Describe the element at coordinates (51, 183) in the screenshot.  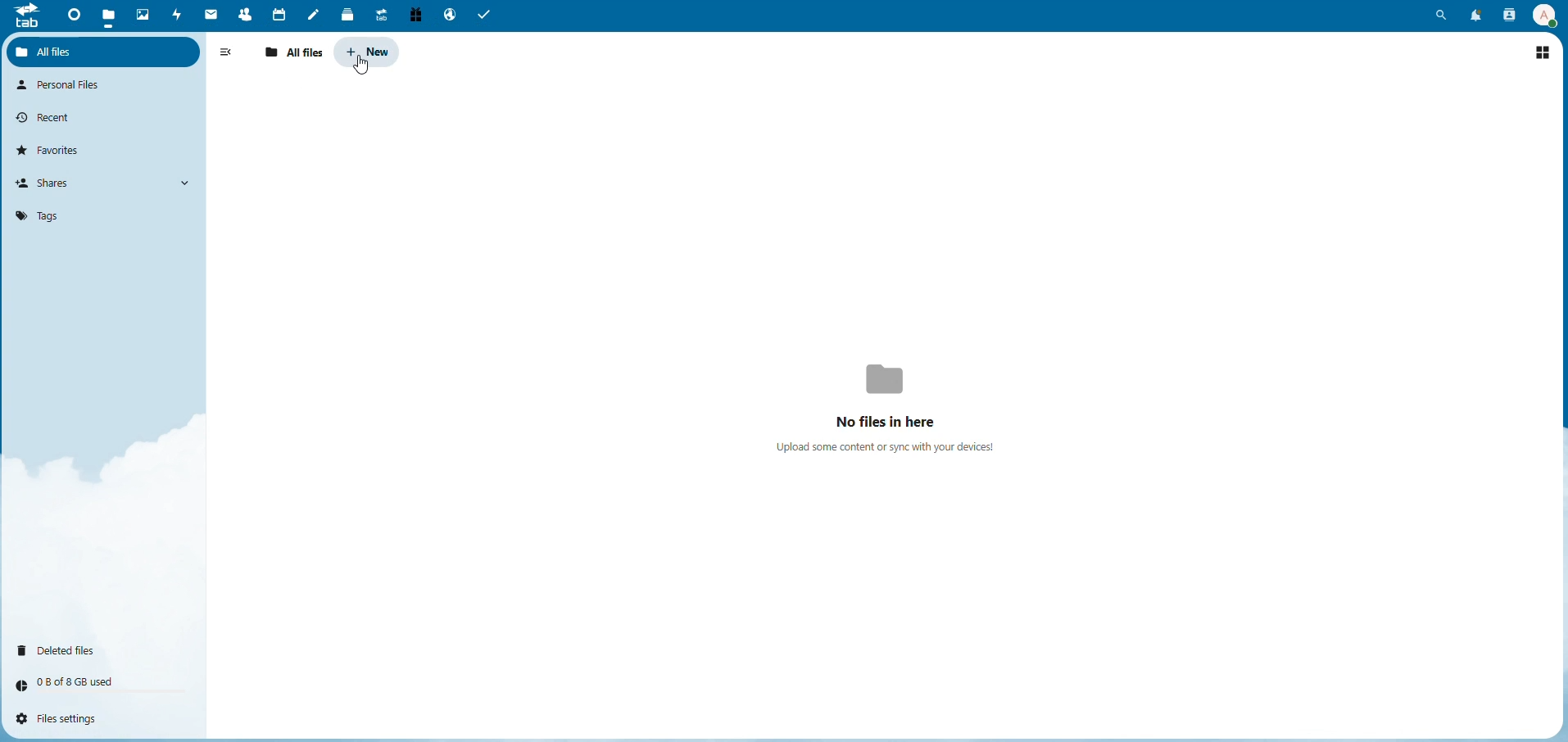
I see `Shares` at that location.